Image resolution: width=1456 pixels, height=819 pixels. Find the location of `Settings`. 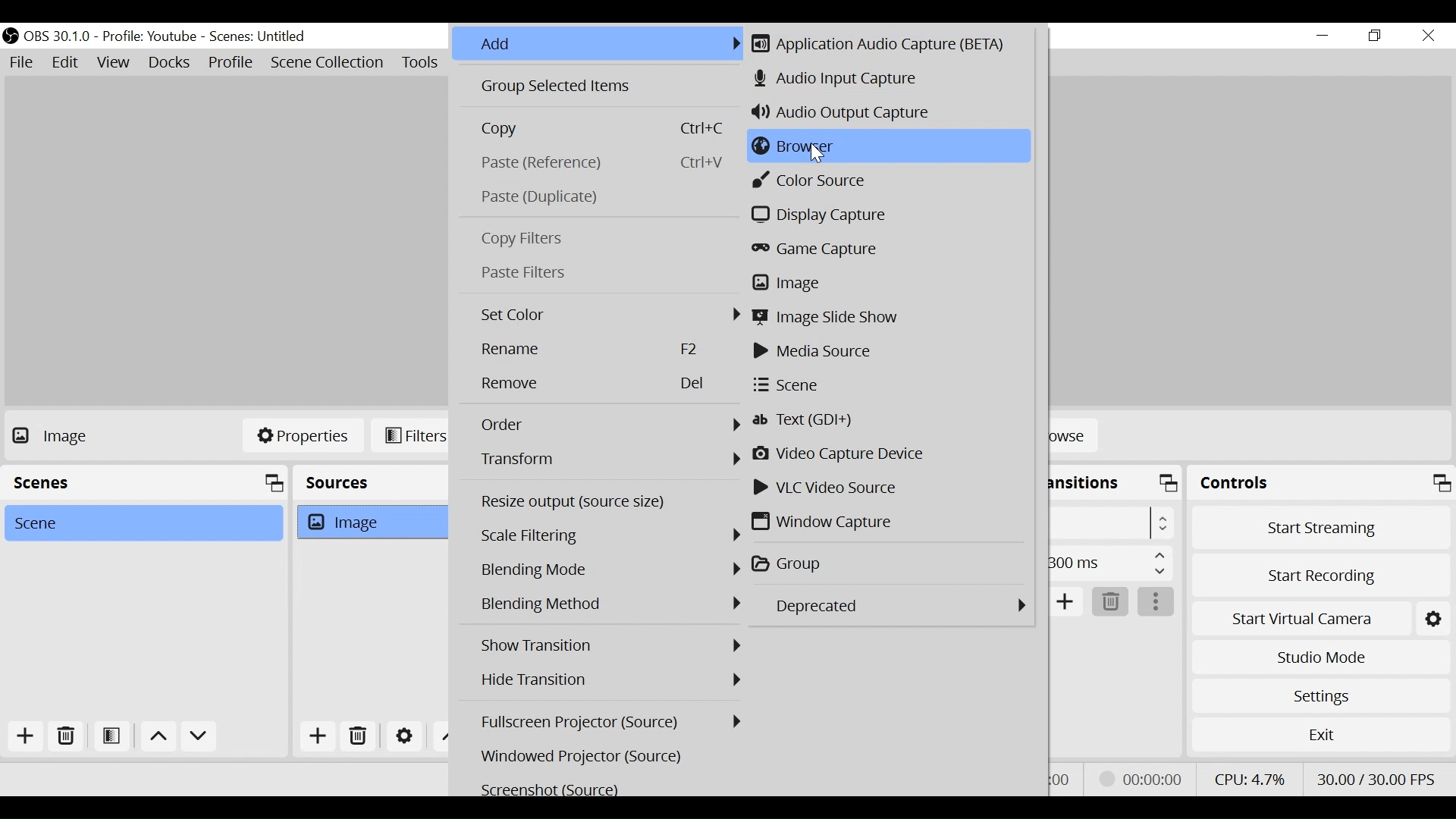

Settings is located at coordinates (1321, 694).